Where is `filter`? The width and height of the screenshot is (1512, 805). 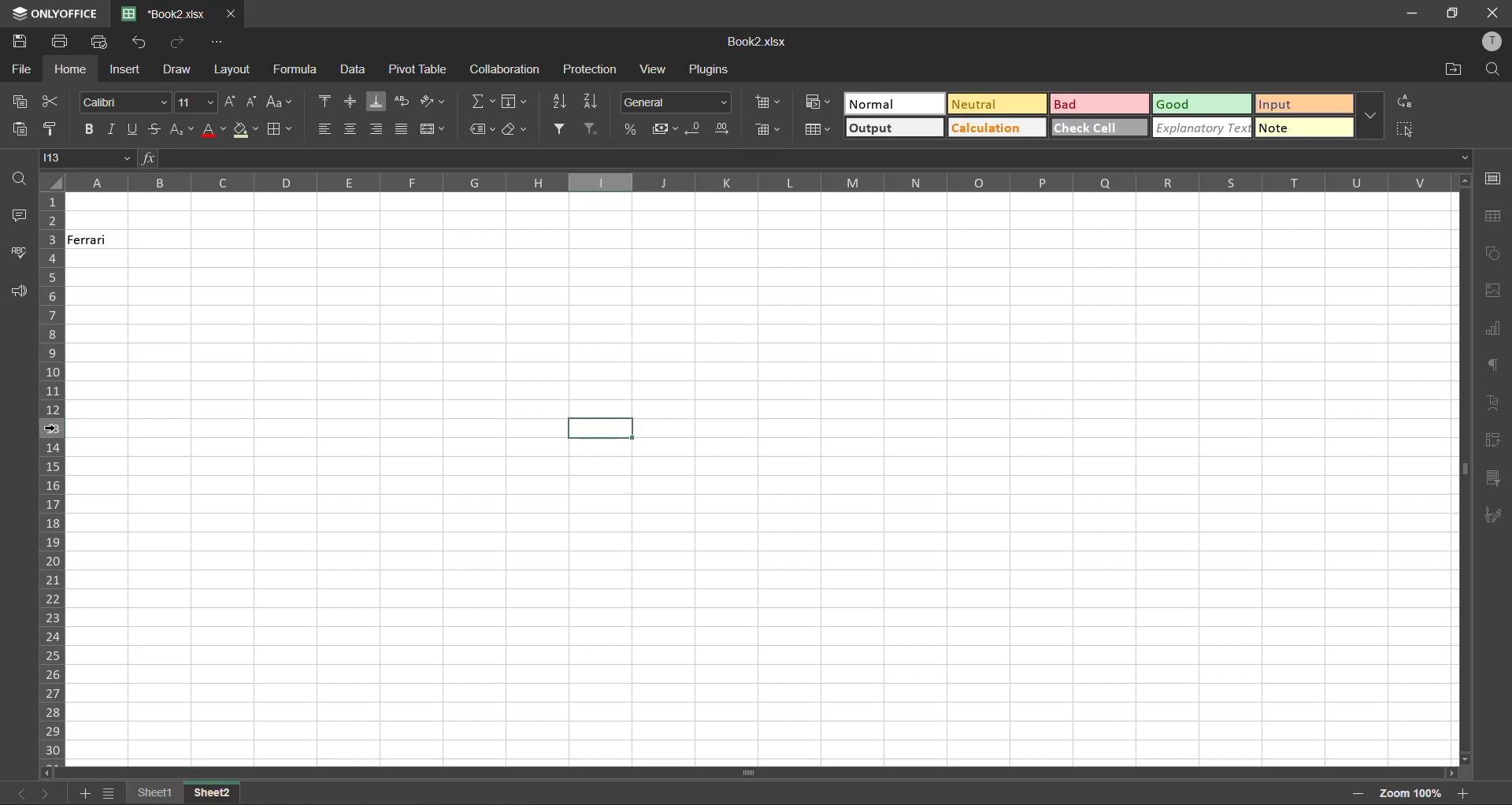
filter is located at coordinates (561, 129).